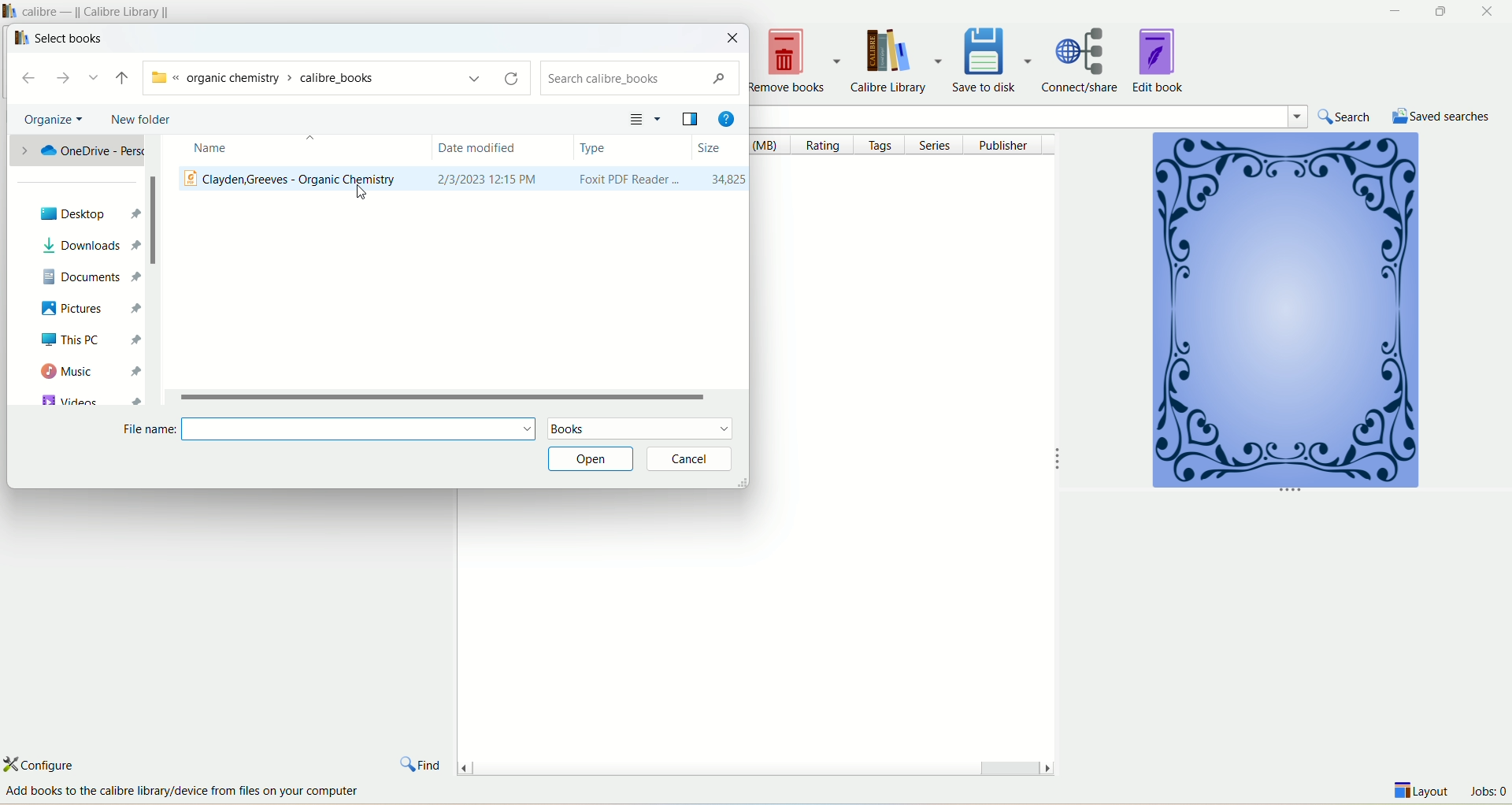 This screenshot has height=805, width=1512. Describe the element at coordinates (82, 213) in the screenshot. I see `desktop` at that location.